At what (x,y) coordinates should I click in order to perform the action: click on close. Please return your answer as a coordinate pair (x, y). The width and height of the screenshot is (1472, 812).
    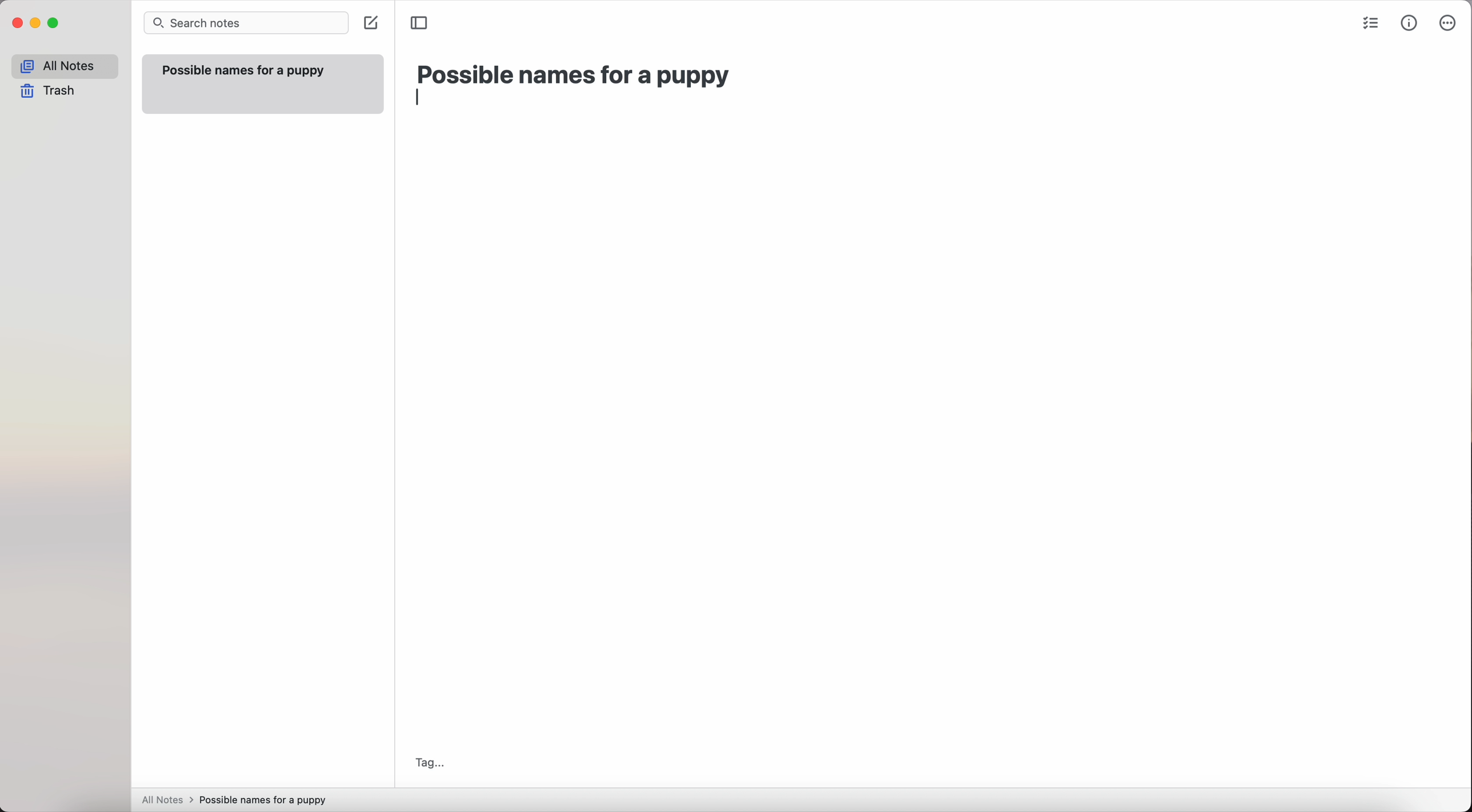
    Looking at the image, I should click on (16, 25).